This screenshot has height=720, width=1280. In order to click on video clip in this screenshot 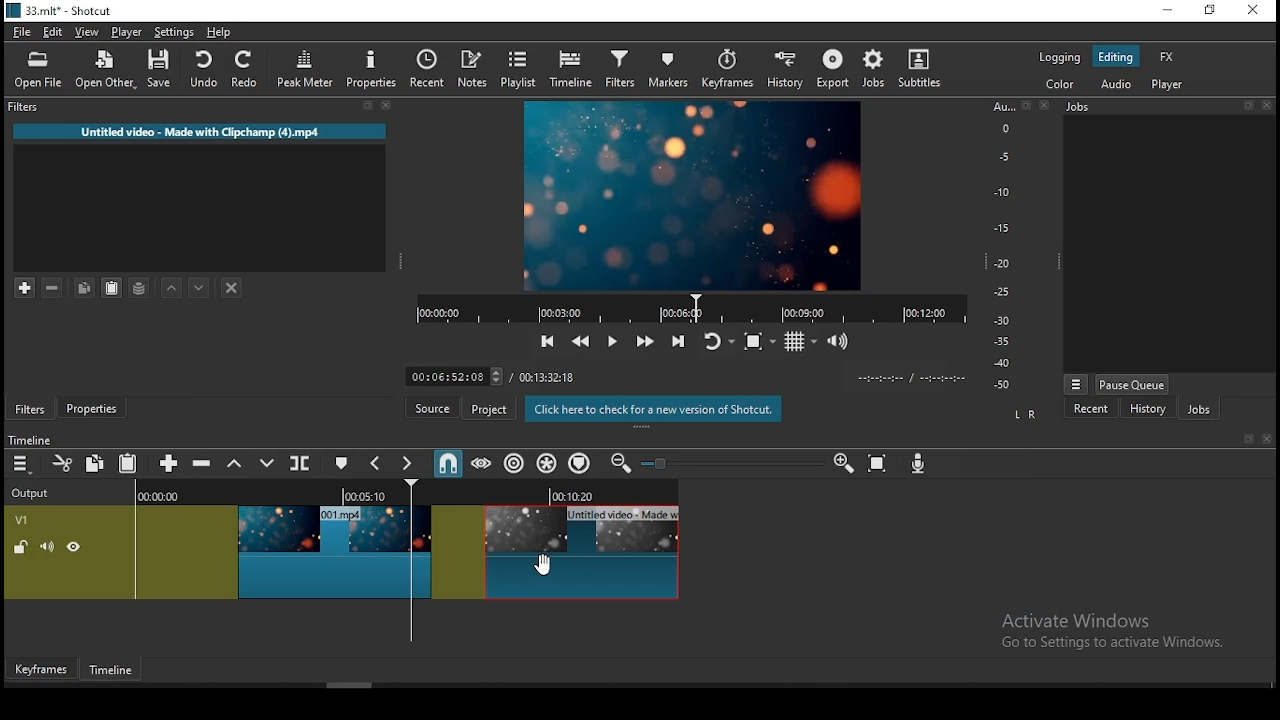, I will do `click(336, 552)`.